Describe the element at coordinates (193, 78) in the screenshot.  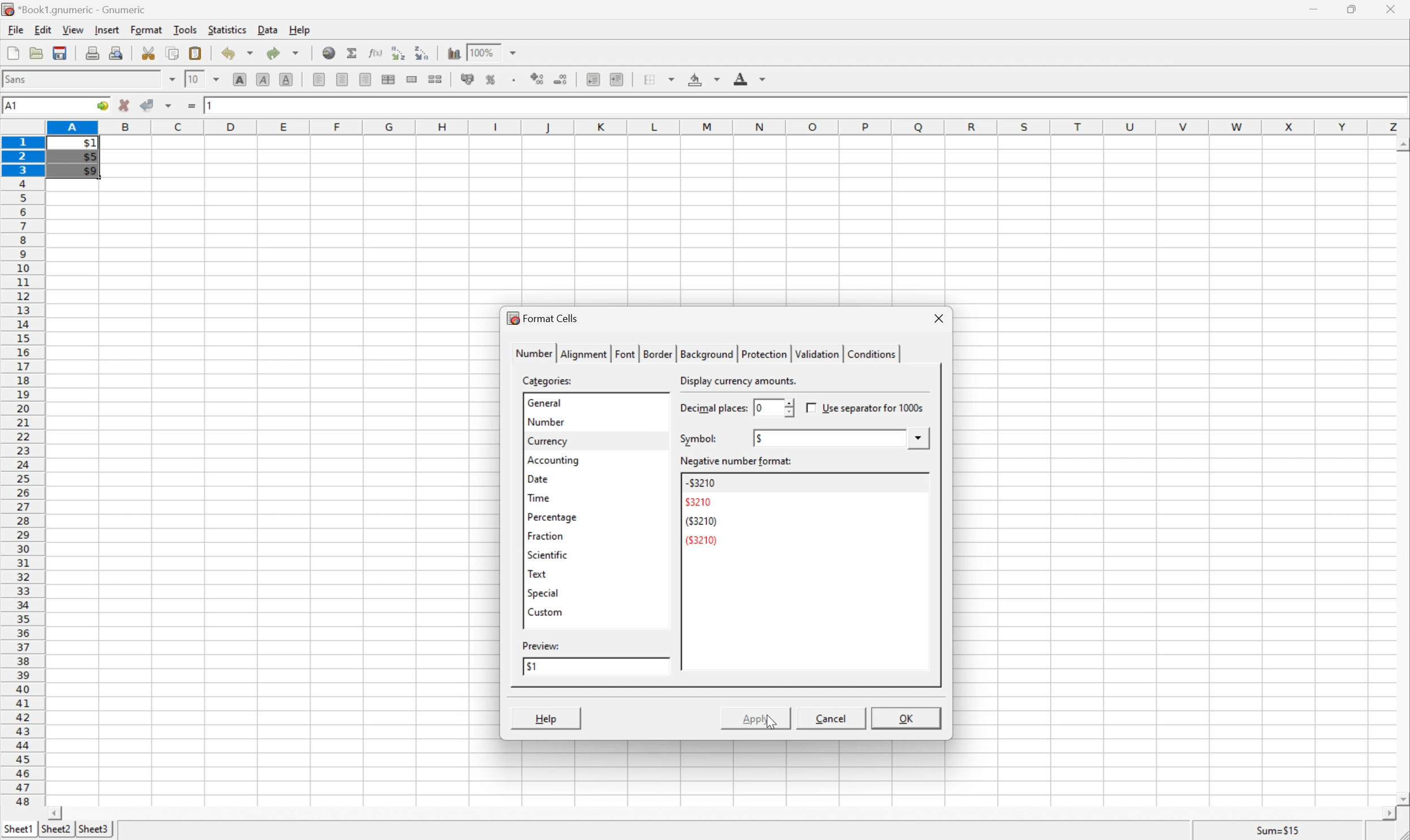
I see `10` at that location.